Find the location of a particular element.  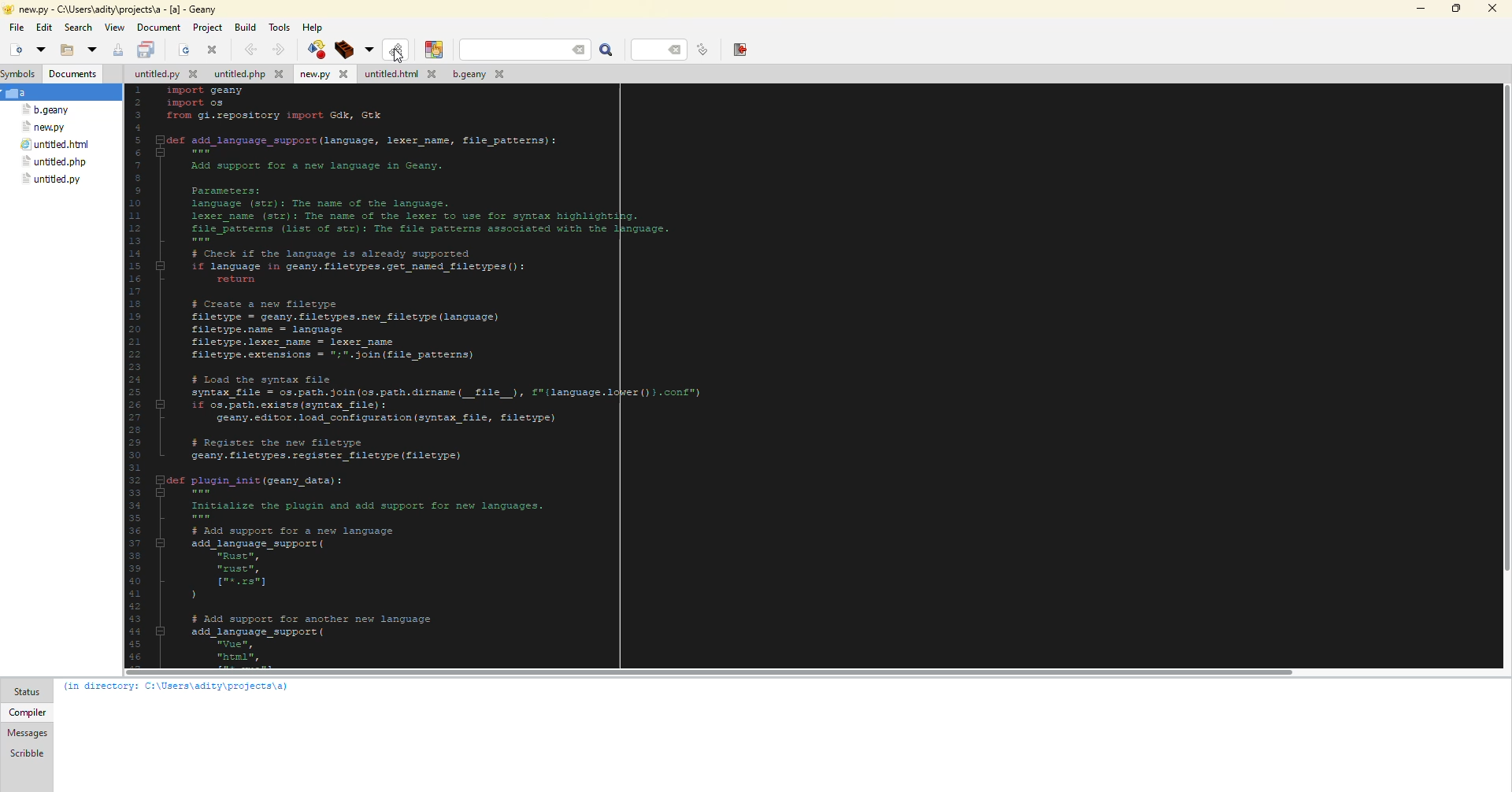

close is located at coordinates (212, 50).